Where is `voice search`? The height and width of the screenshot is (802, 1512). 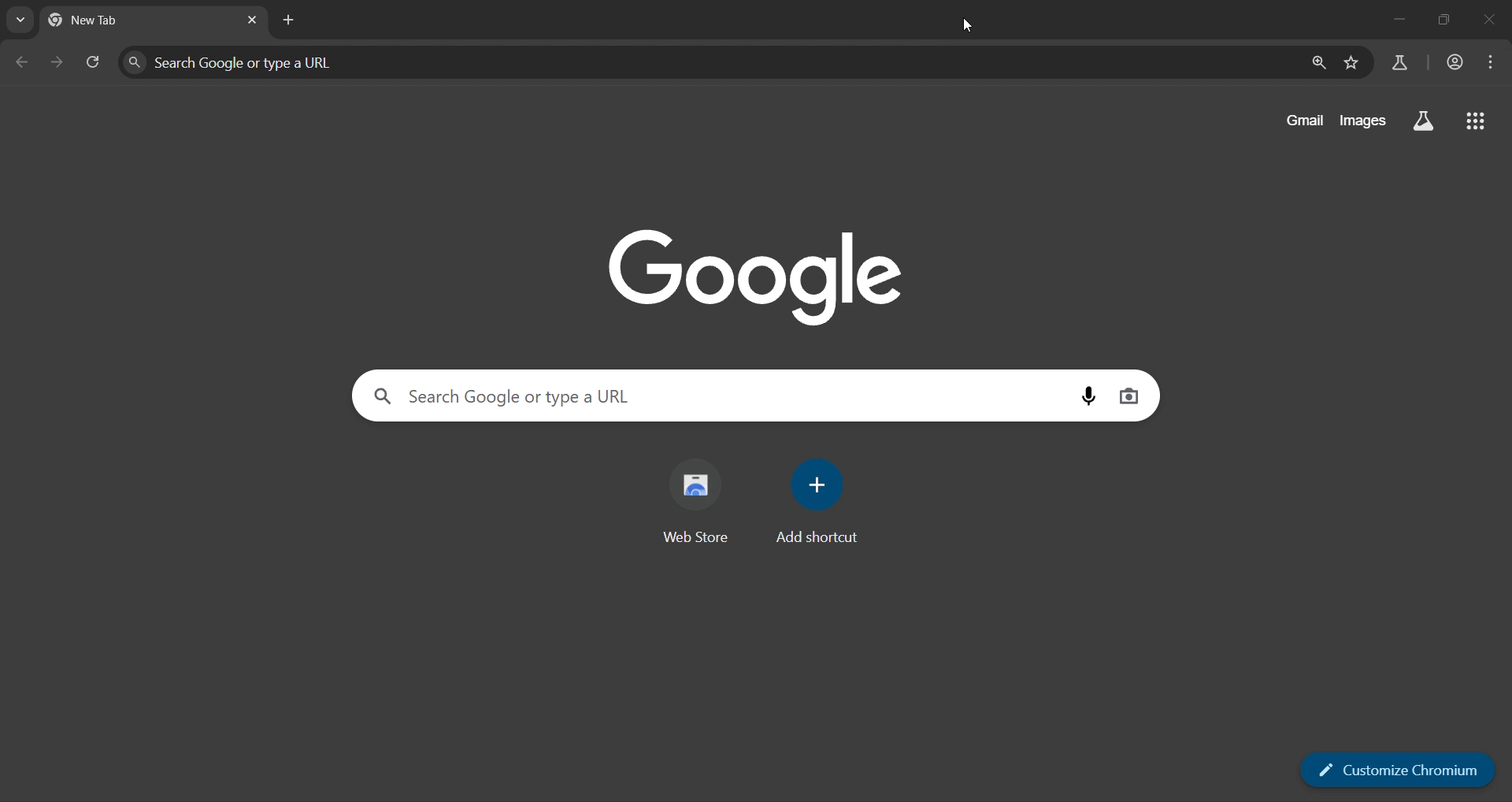 voice search is located at coordinates (1086, 394).